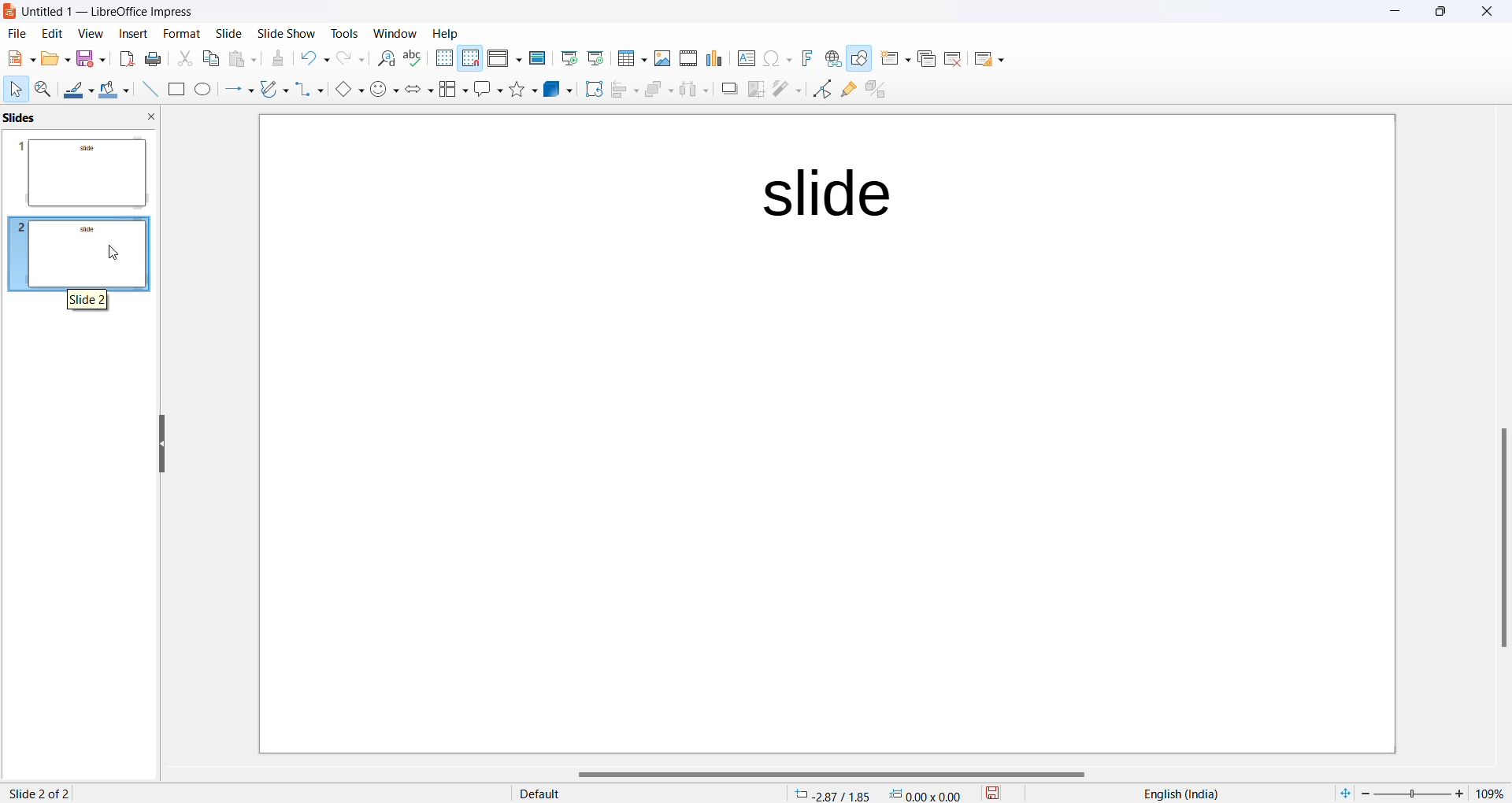 The width and height of the screenshot is (1512, 803). I want to click on cursor location: -2.87/1.85, so click(832, 794).